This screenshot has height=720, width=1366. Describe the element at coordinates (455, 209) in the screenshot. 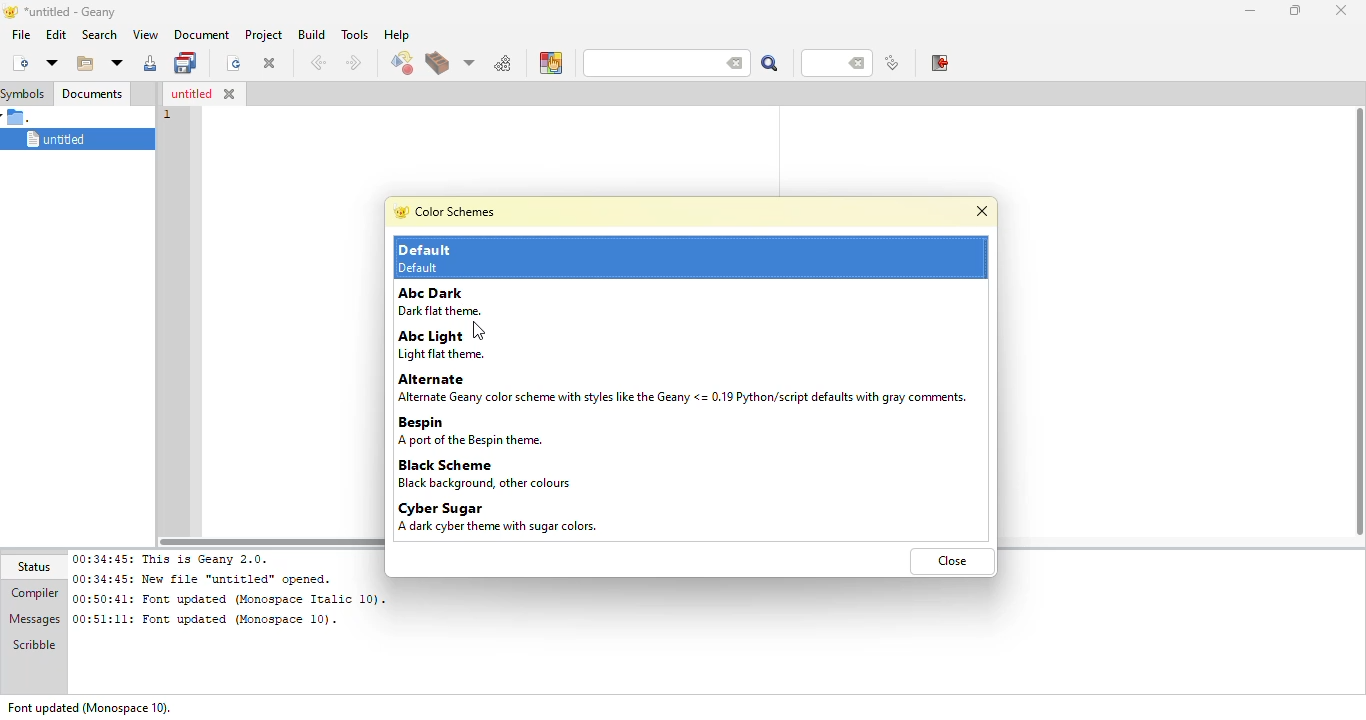

I see `color schemes` at that location.